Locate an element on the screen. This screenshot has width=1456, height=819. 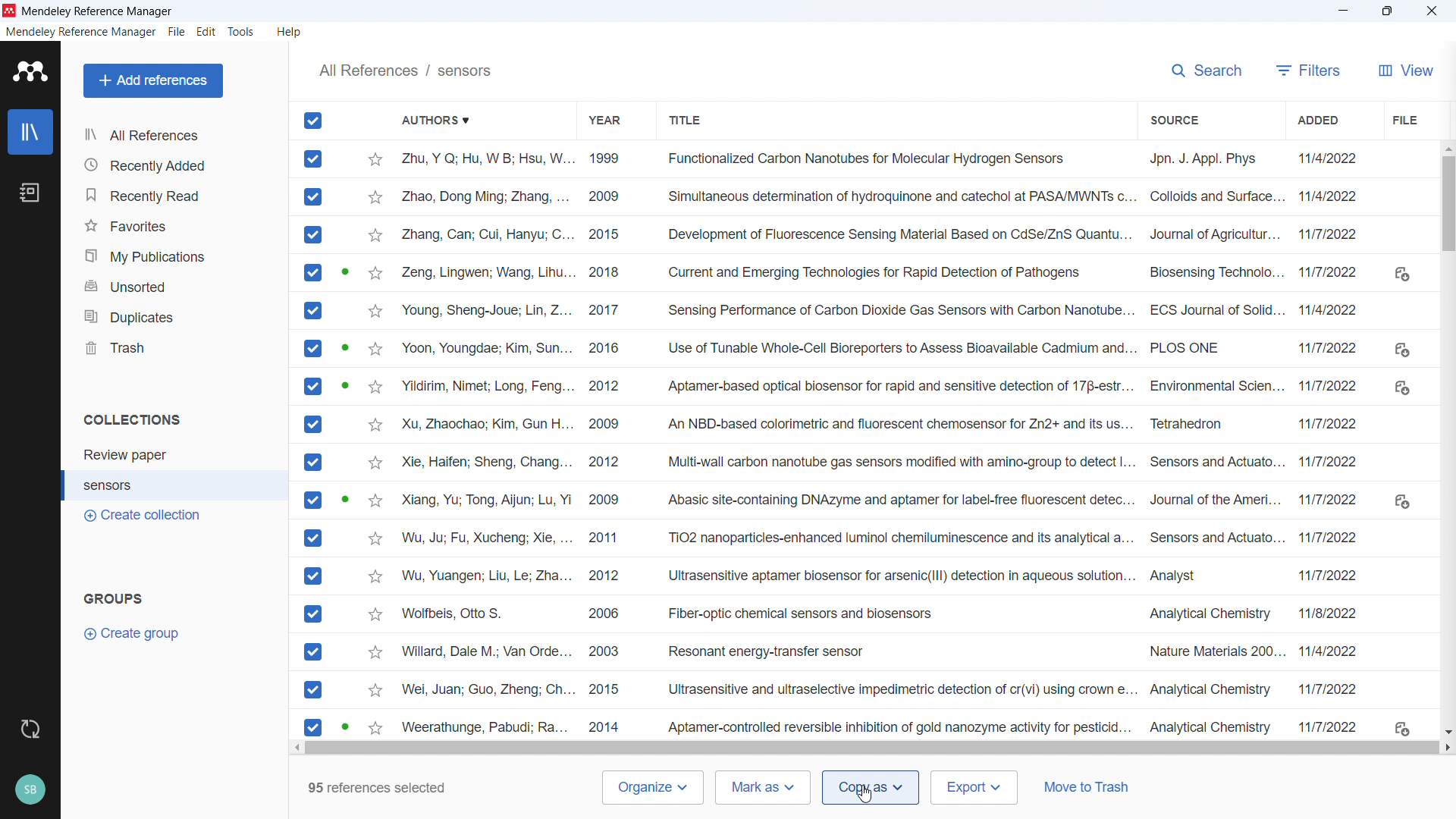
All entries selected is located at coordinates (312, 424).